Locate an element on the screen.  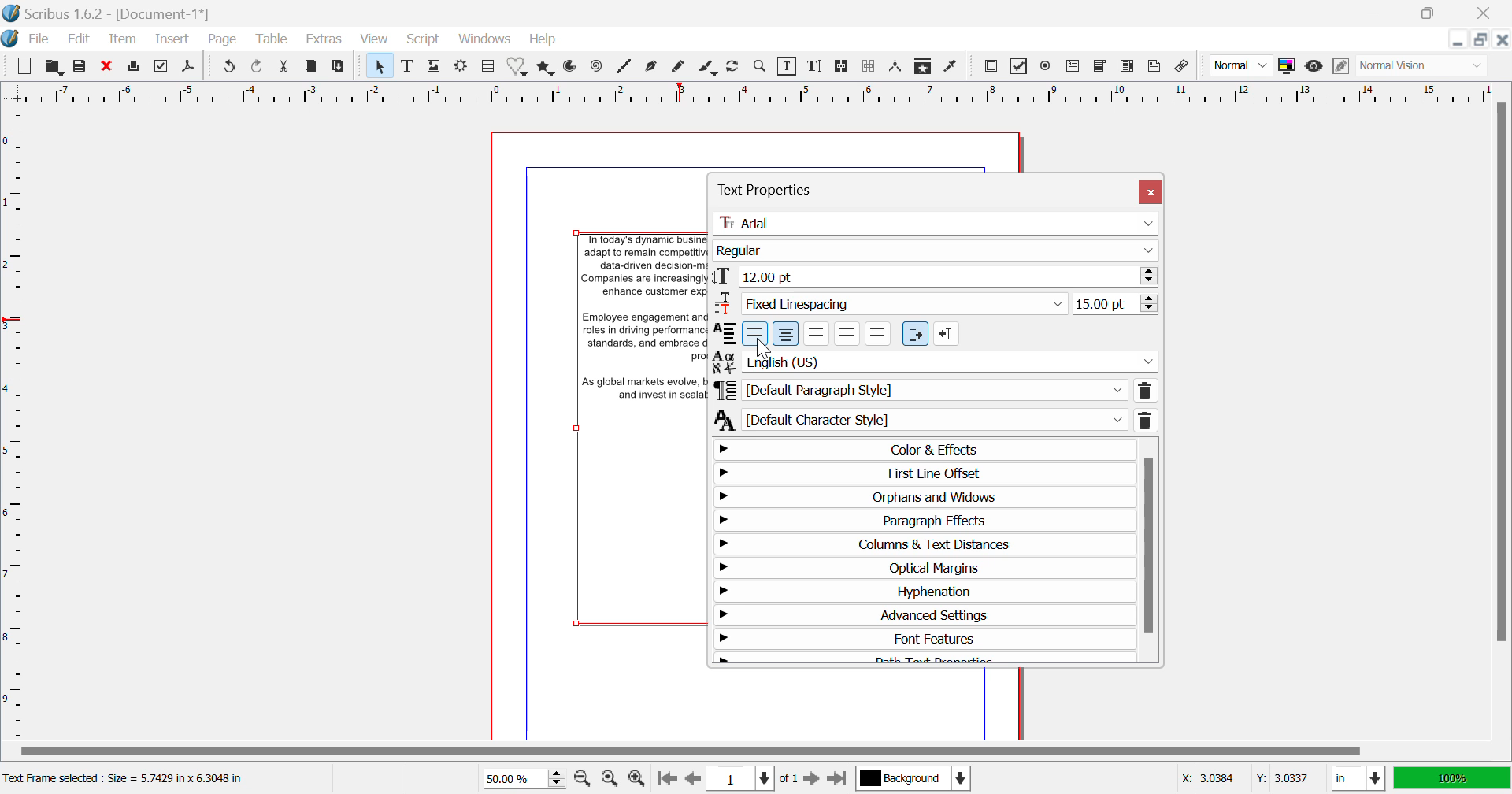
Background Text Frame Altered is located at coordinates (637, 333).